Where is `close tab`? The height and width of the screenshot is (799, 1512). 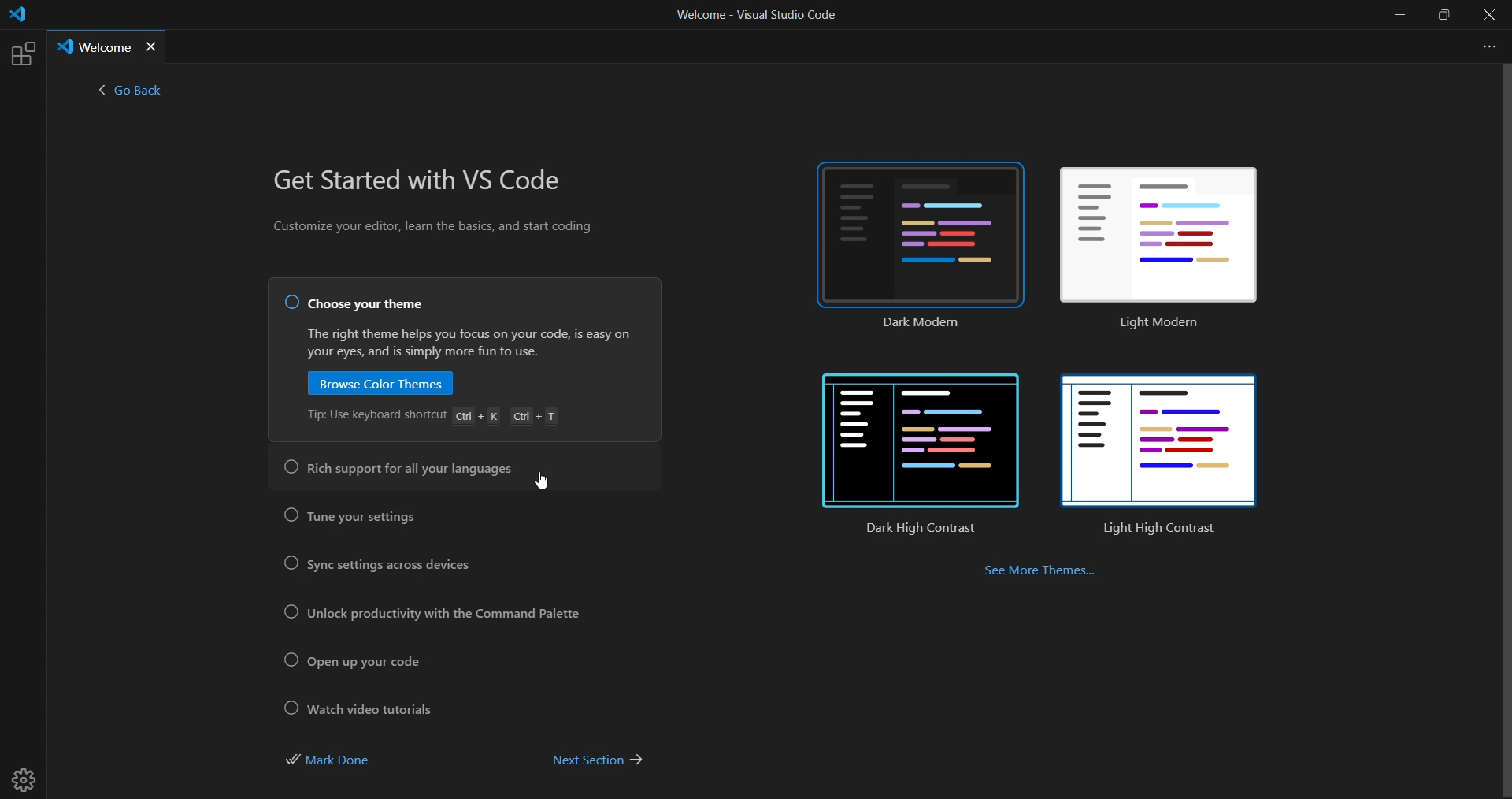 close tab is located at coordinates (153, 47).